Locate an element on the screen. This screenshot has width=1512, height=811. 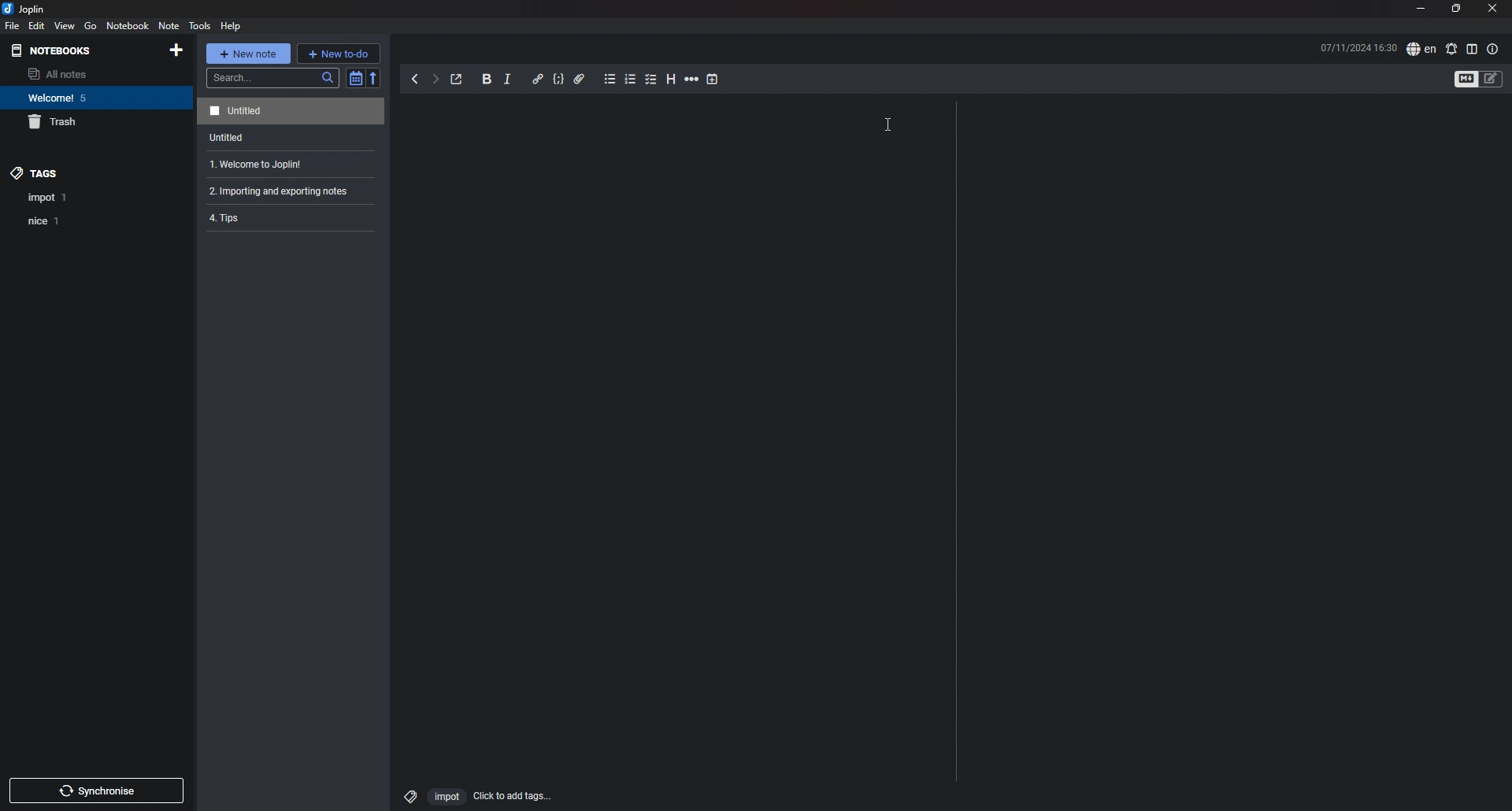
hyperlink is located at coordinates (537, 78).